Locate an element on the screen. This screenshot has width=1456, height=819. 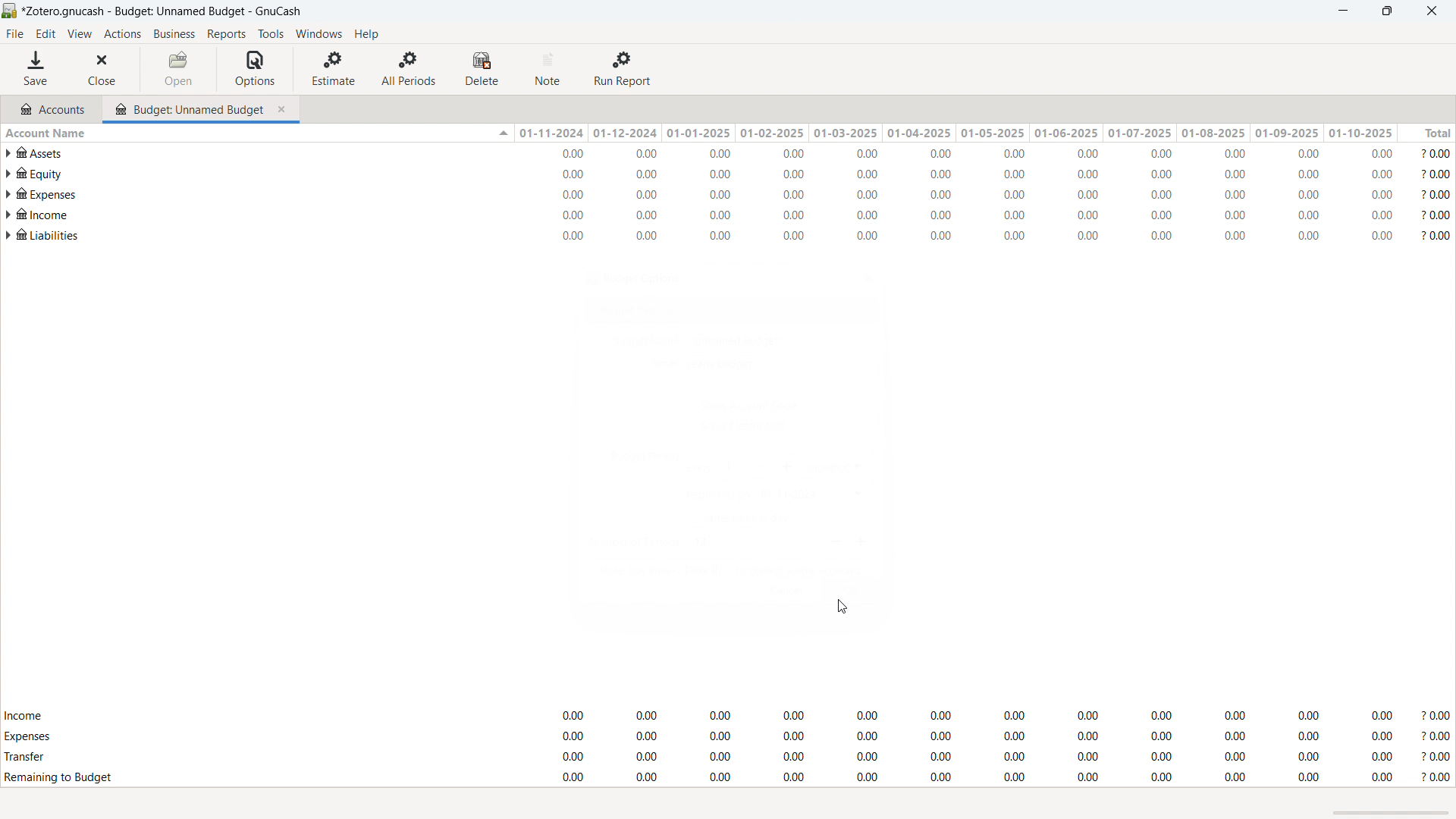
close is located at coordinates (1431, 11).